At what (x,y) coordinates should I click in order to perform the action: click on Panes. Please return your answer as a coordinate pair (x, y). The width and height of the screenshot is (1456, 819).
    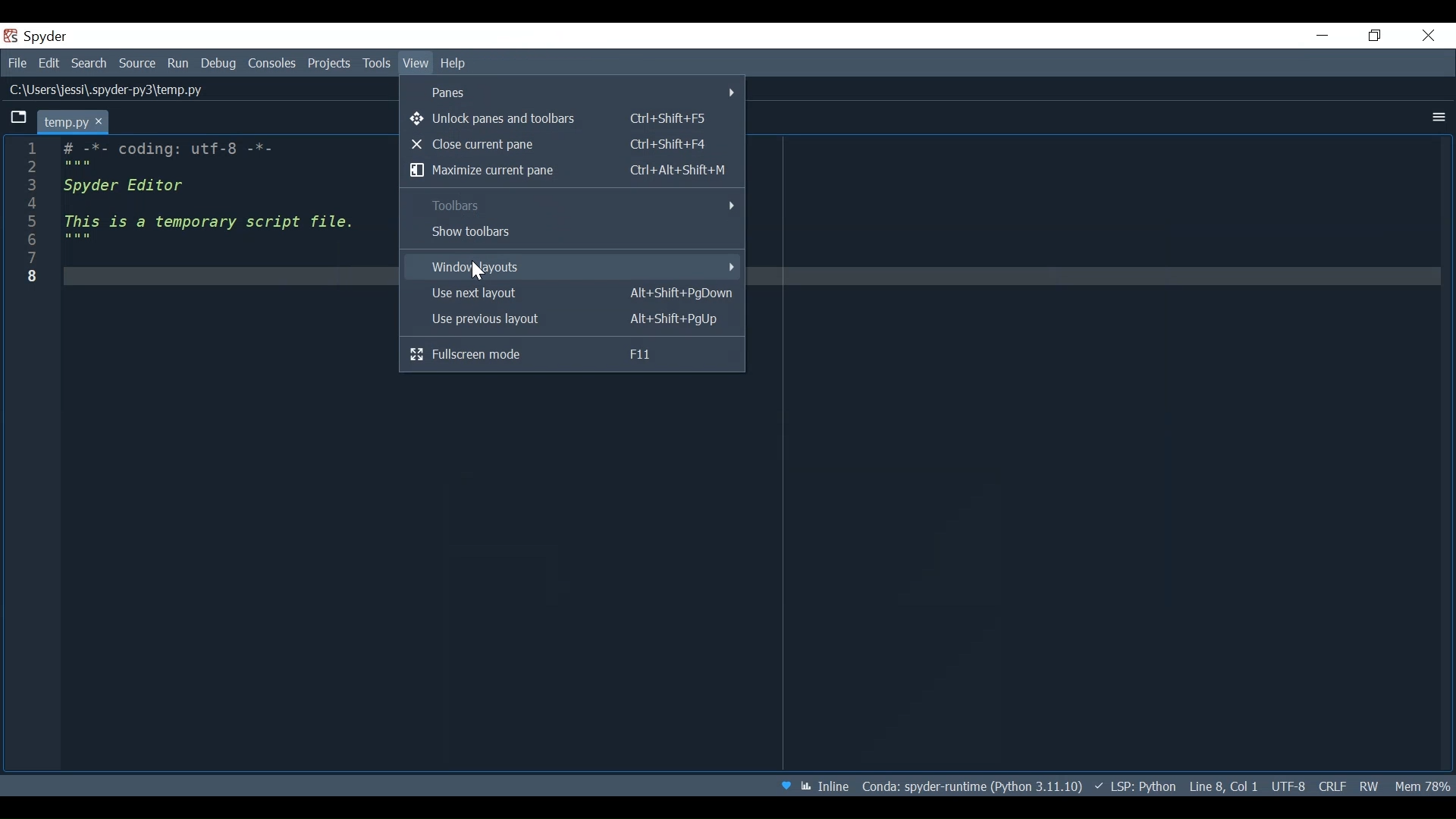
    Looking at the image, I should click on (574, 91).